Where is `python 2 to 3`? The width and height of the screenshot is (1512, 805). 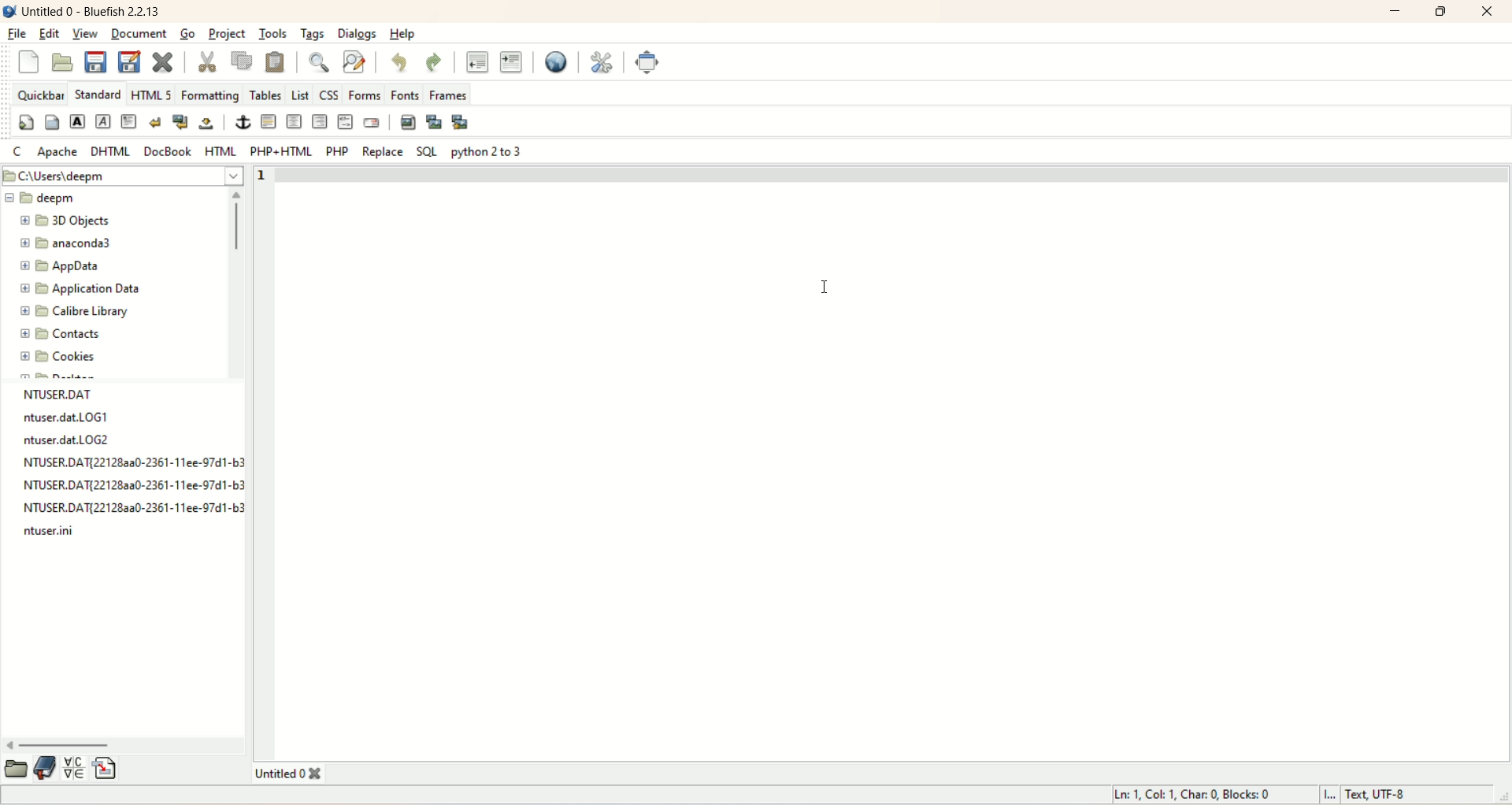 python 2 to 3 is located at coordinates (490, 151).